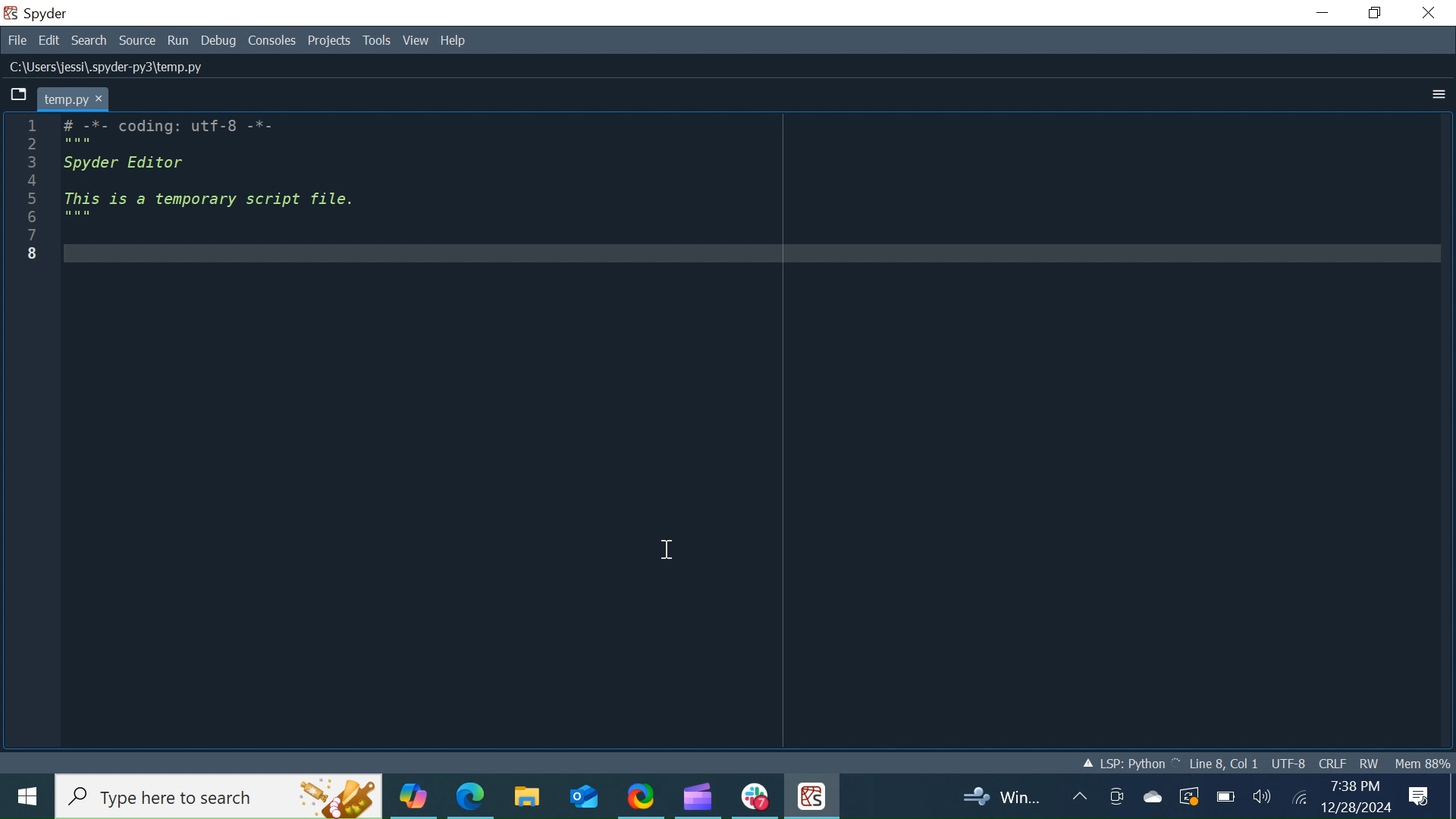  What do you see at coordinates (1420, 761) in the screenshot?
I see `Memory Usage` at bounding box center [1420, 761].